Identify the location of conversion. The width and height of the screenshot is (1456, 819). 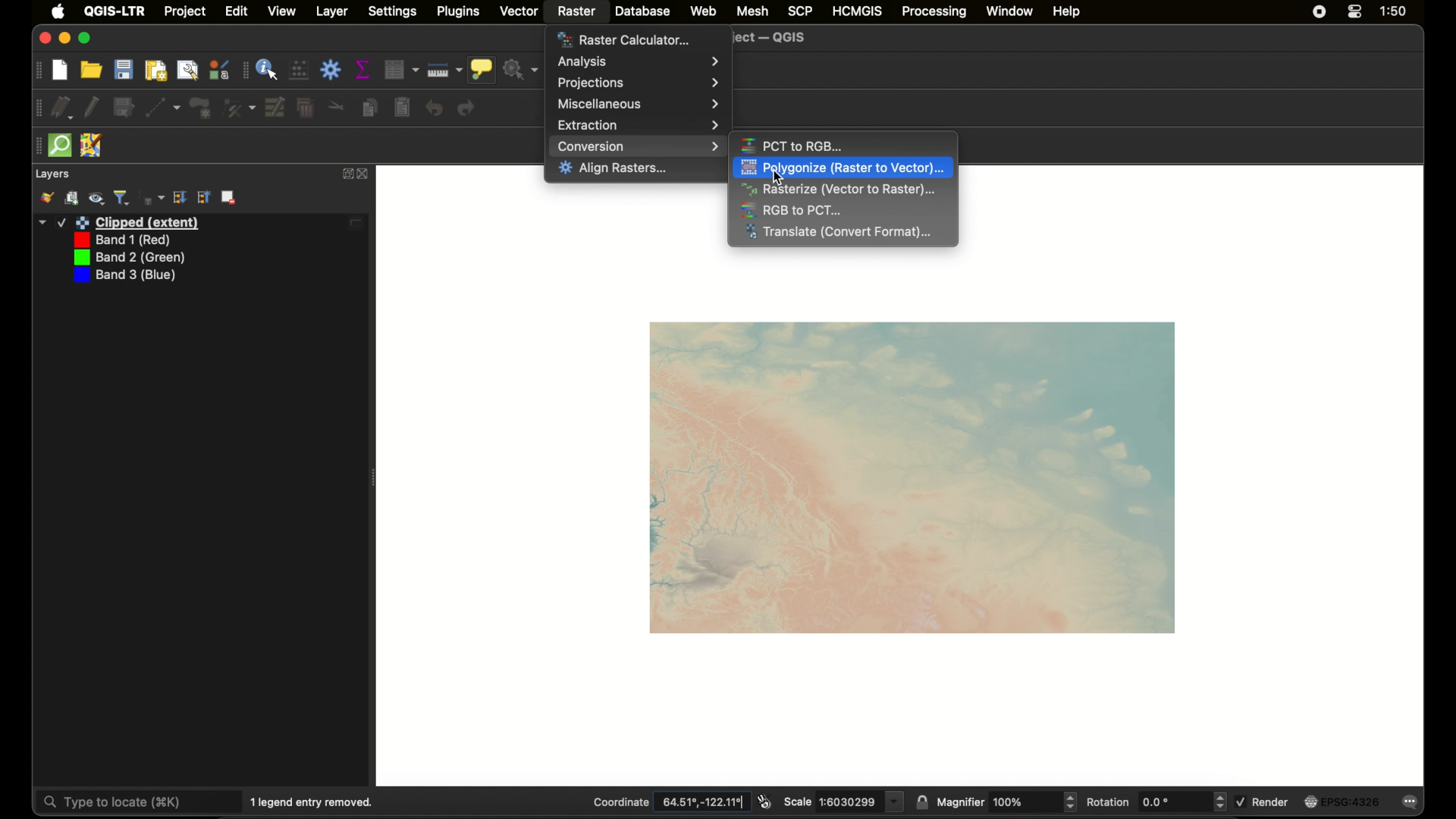
(639, 146).